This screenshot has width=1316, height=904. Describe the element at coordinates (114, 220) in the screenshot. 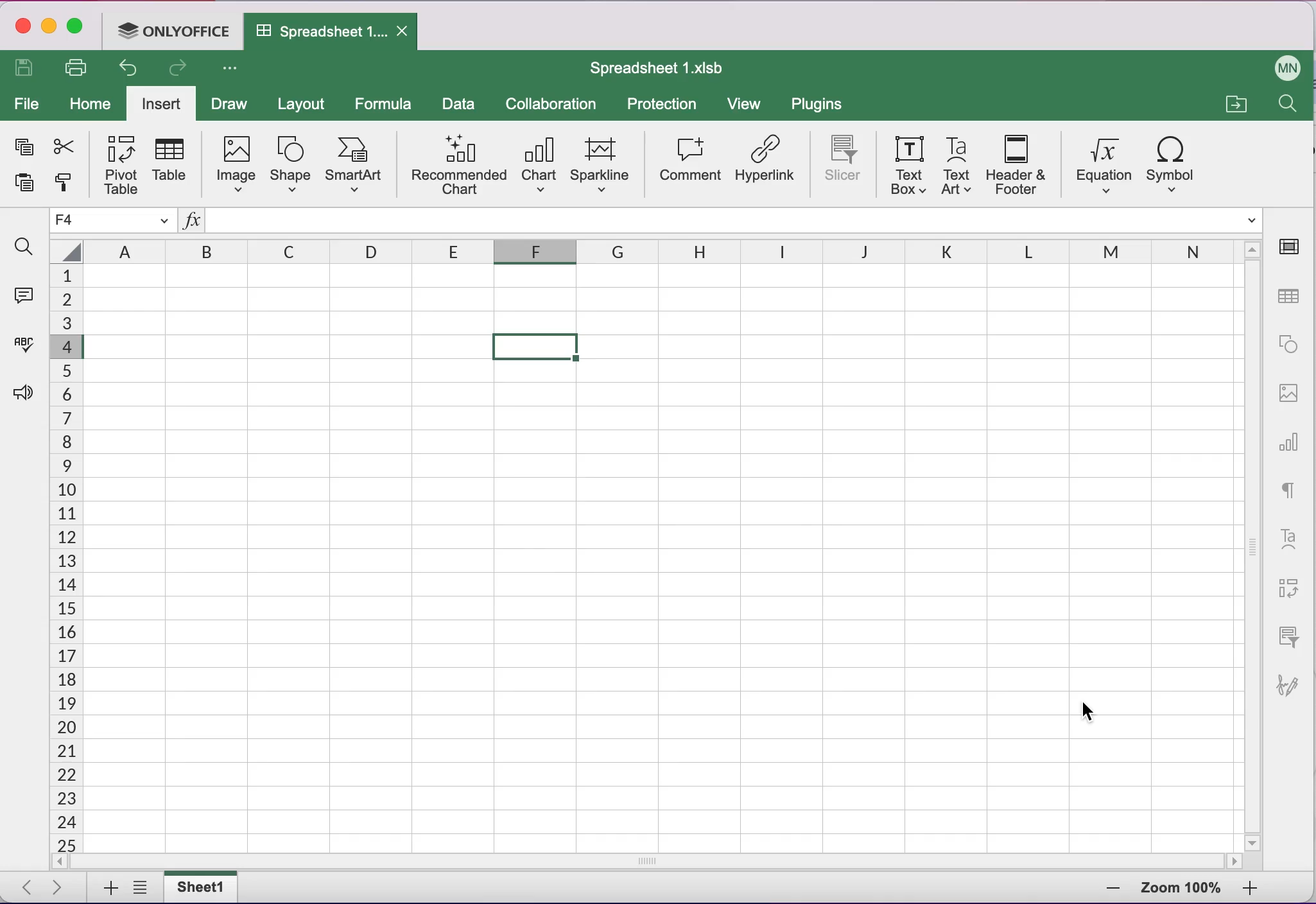

I see `selected cell` at that location.